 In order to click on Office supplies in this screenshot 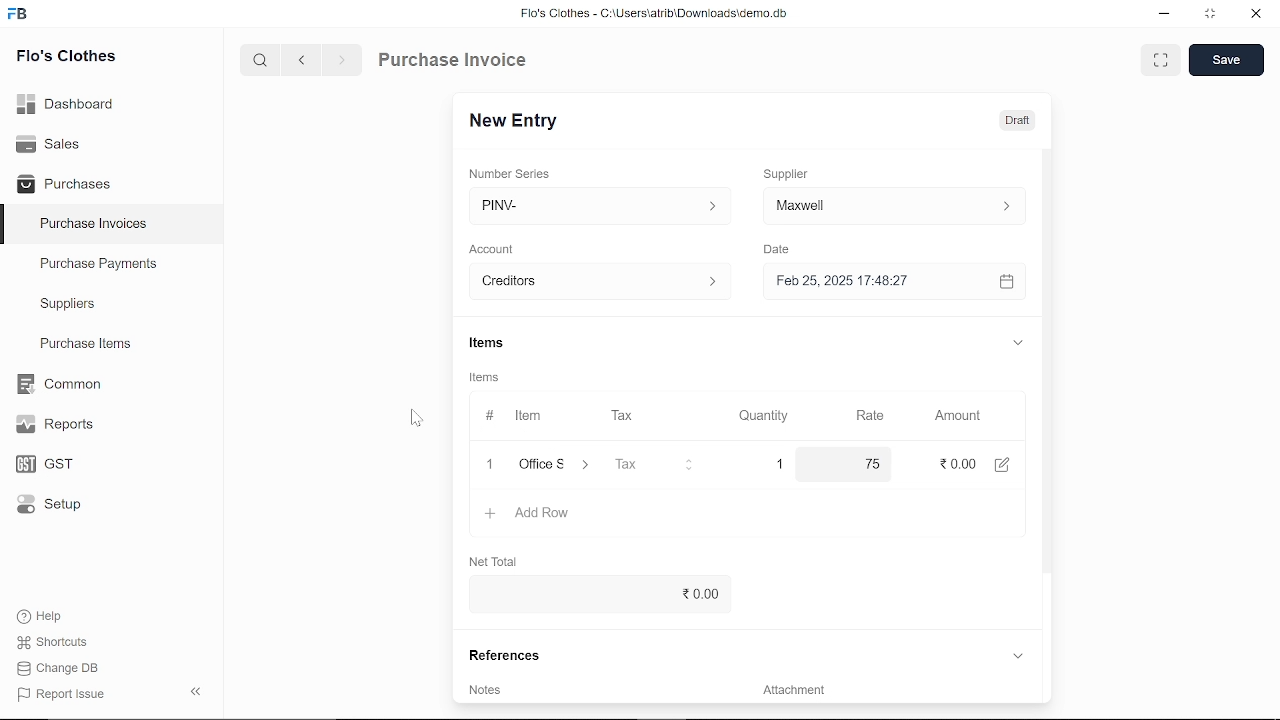, I will do `click(557, 465)`.